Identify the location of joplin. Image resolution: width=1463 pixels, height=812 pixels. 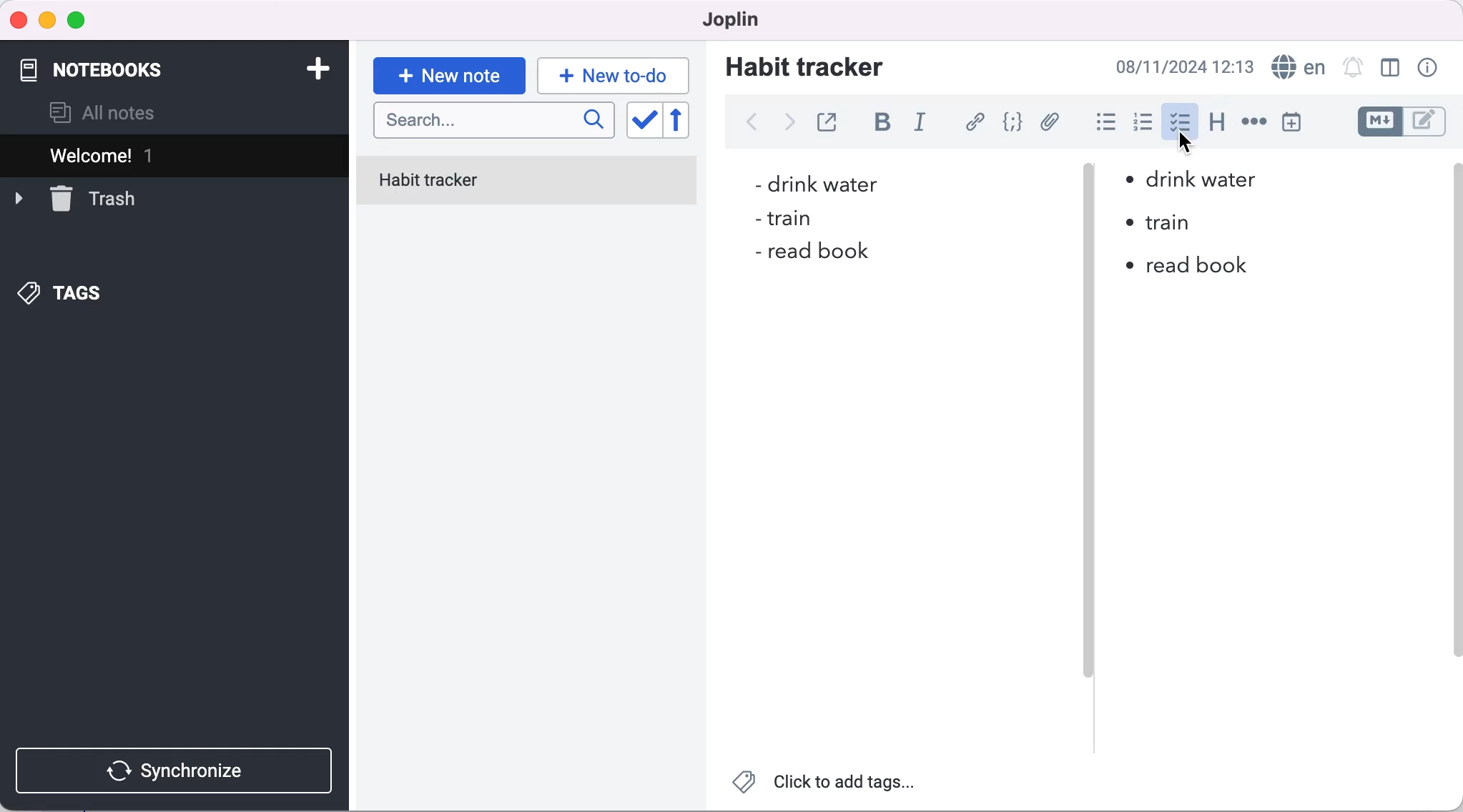
(725, 19).